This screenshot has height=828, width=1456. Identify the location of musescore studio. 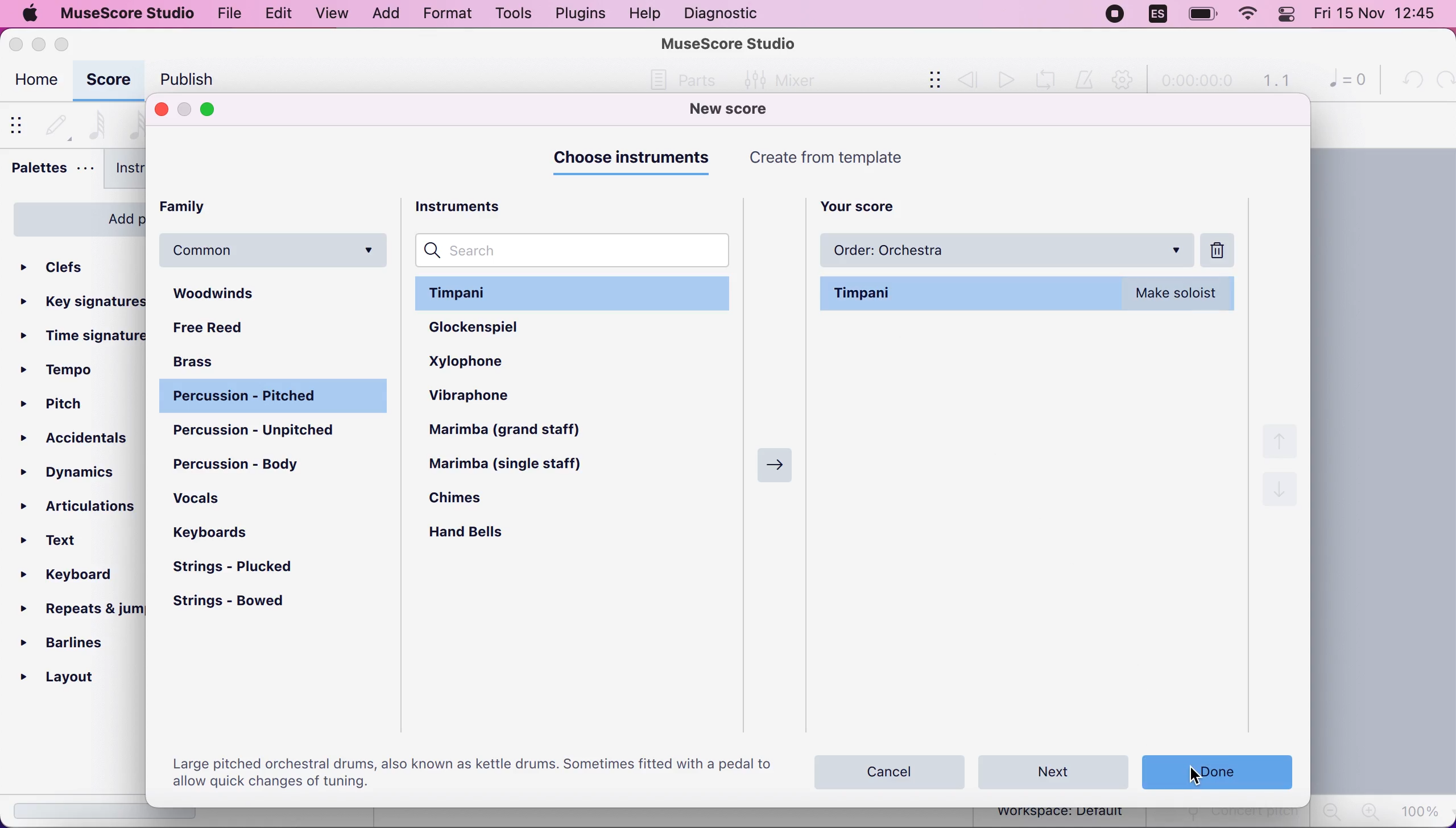
(129, 13).